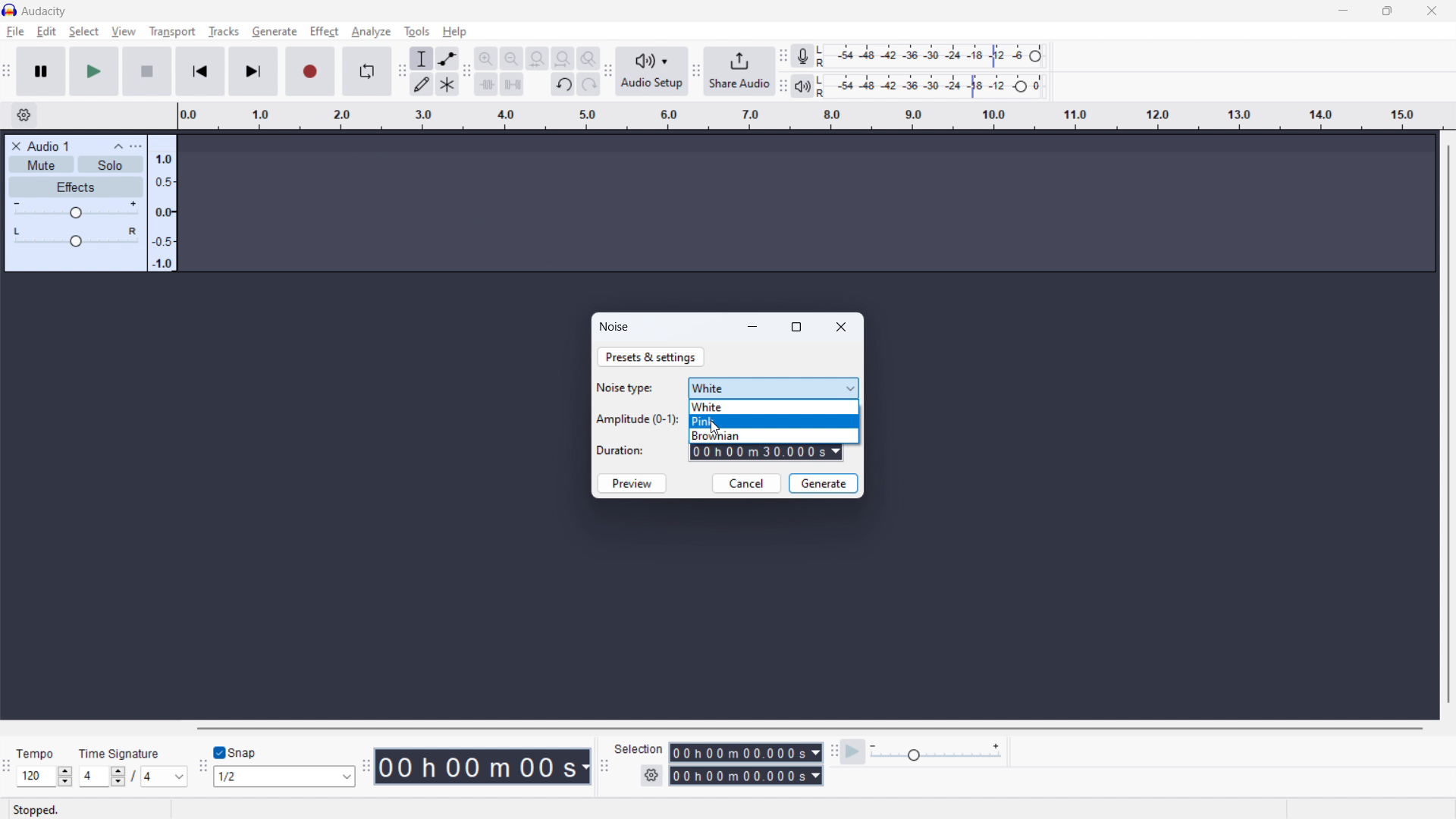  Describe the element at coordinates (802, 86) in the screenshot. I see `playback meter ` at that location.